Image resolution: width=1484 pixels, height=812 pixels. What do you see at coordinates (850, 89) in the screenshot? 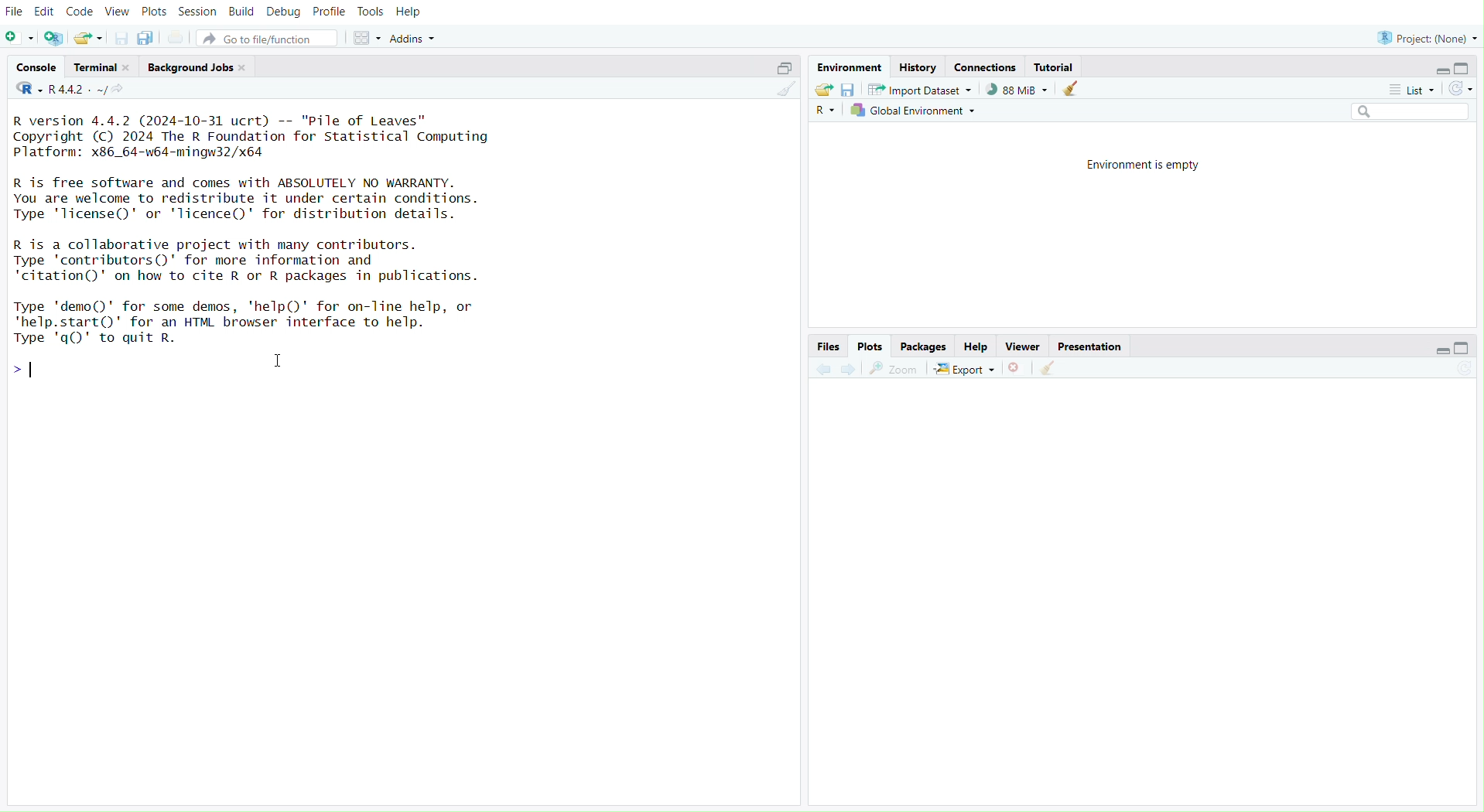
I see `Save workspace as` at bounding box center [850, 89].